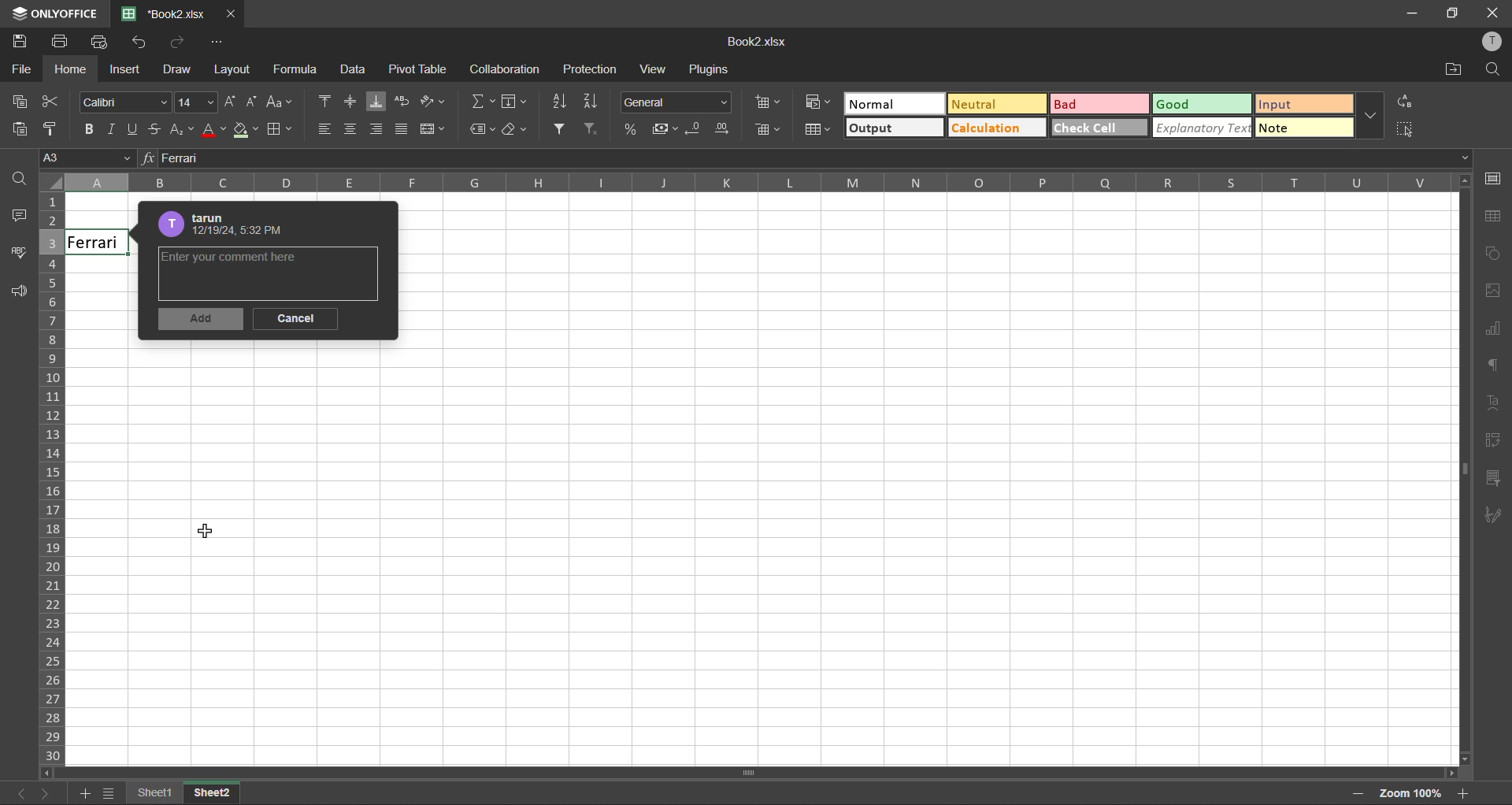 The width and height of the screenshot is (1512, 805). What do you see at coordinates (1413, 13) in the screenshot?
I see `Minimize ` at bounding box center [1413, 13].